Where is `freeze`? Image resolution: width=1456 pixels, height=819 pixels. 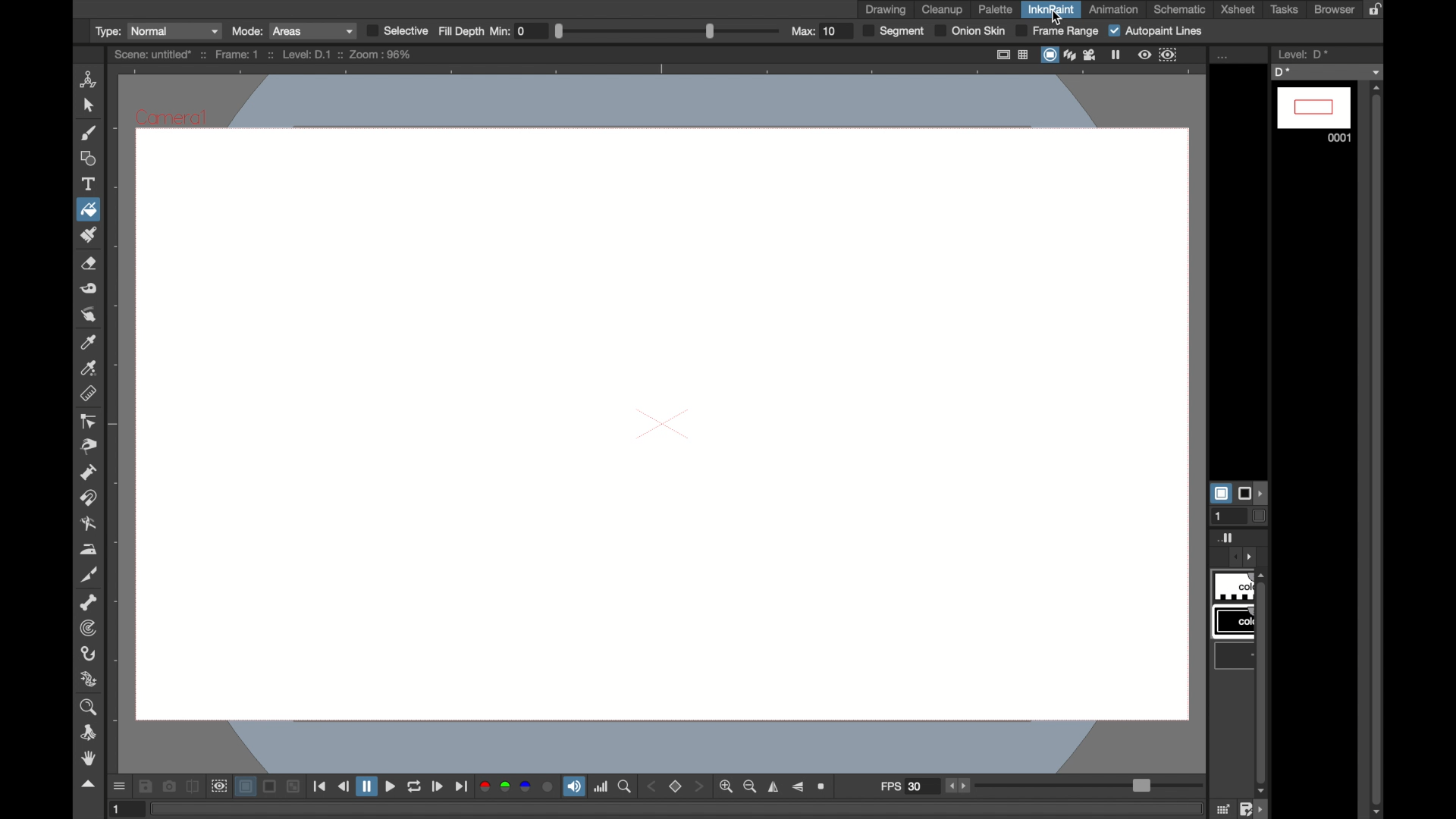 freeze is located at coordinates (1119, 55).